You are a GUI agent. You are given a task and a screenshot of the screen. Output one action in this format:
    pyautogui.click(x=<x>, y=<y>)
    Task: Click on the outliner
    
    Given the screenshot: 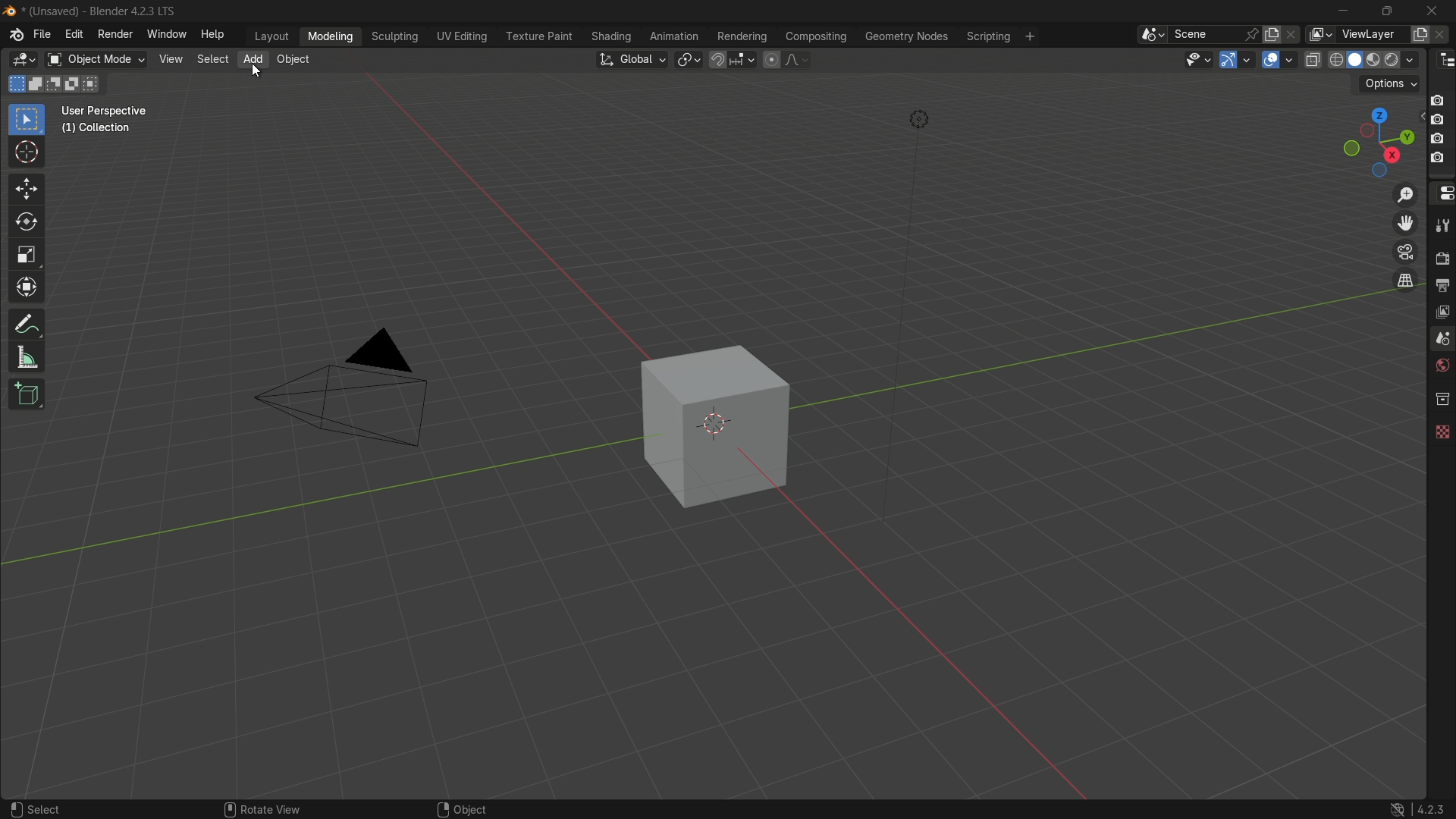 What is the action you would take?
    pyautogui.click(x=1441, y=61)
    